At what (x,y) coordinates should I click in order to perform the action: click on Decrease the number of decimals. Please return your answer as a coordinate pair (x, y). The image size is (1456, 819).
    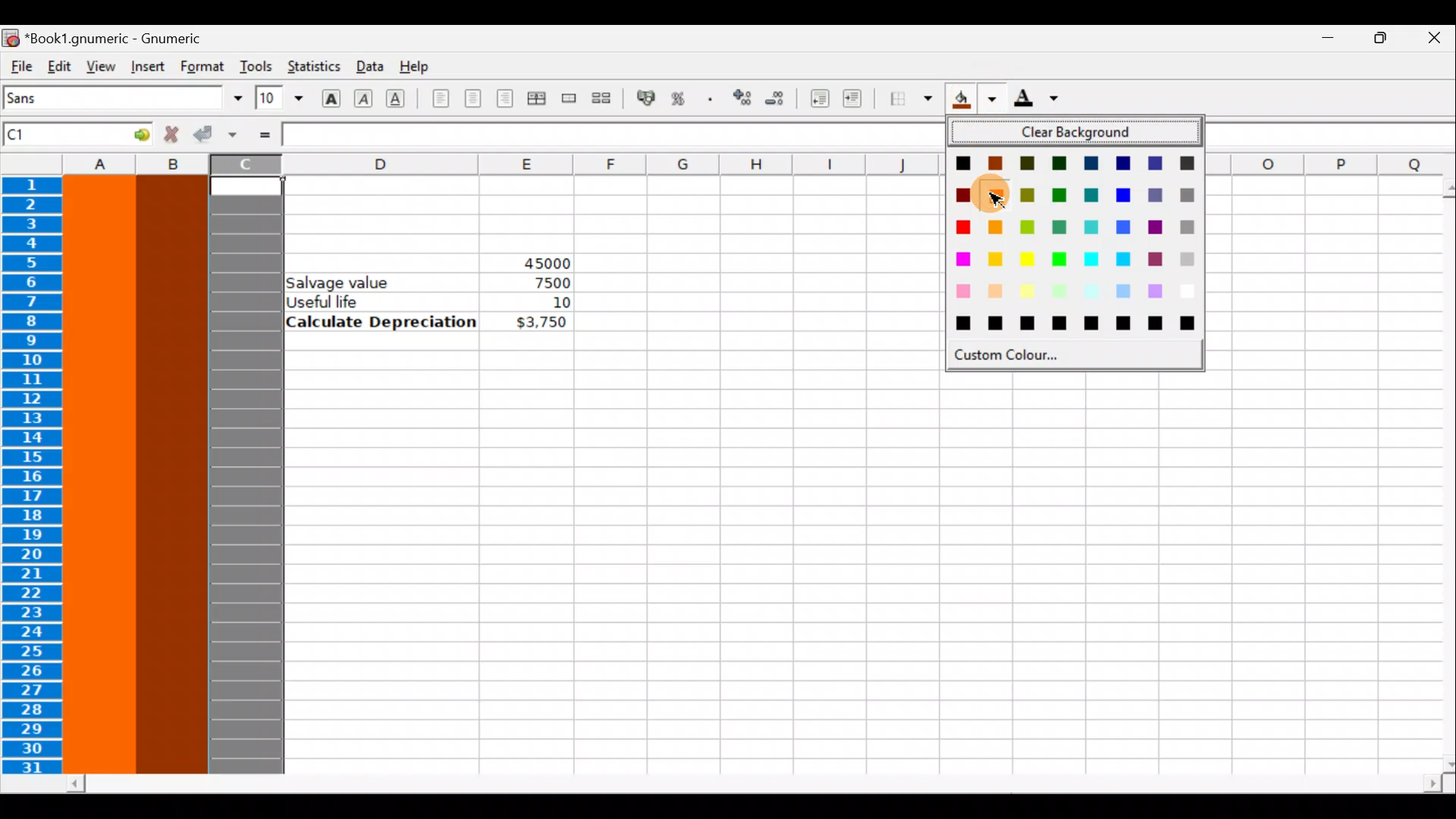
    Looking at the image, I should click on (775, 98).